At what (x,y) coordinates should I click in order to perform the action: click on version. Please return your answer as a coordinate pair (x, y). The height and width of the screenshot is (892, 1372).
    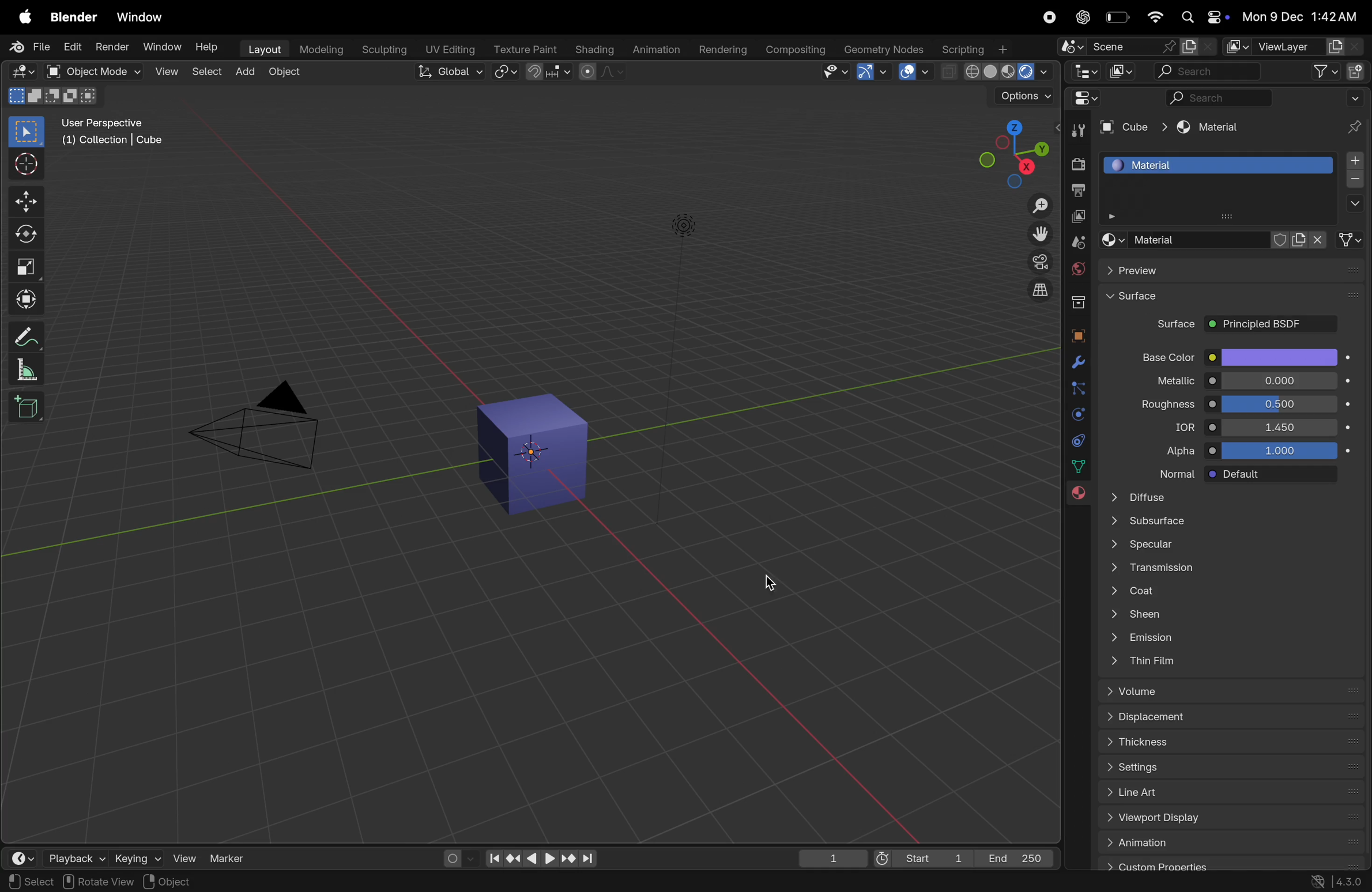
    Looking at the image, I should click on (1337, 882).